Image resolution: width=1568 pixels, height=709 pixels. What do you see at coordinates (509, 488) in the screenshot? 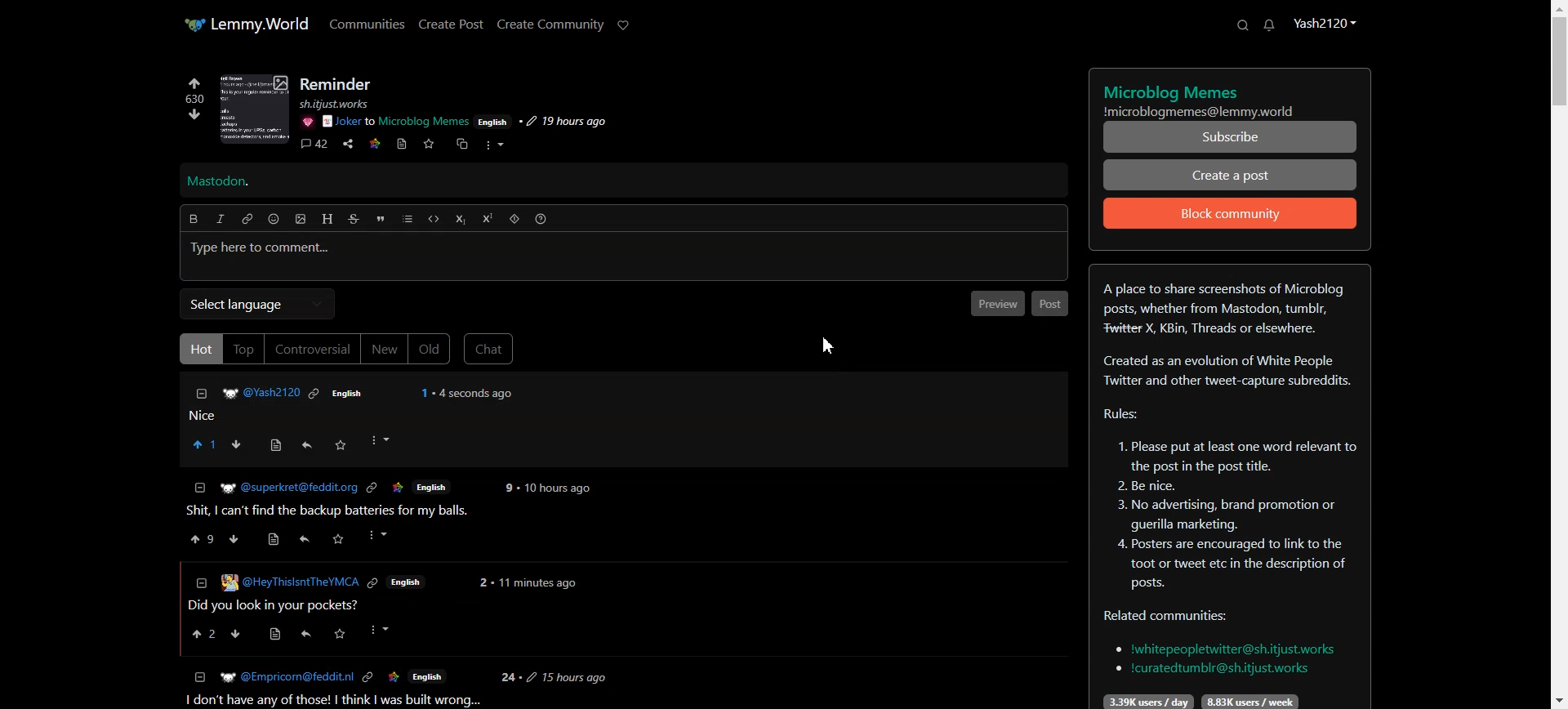
I see `2` at bounding box center [509, 488].